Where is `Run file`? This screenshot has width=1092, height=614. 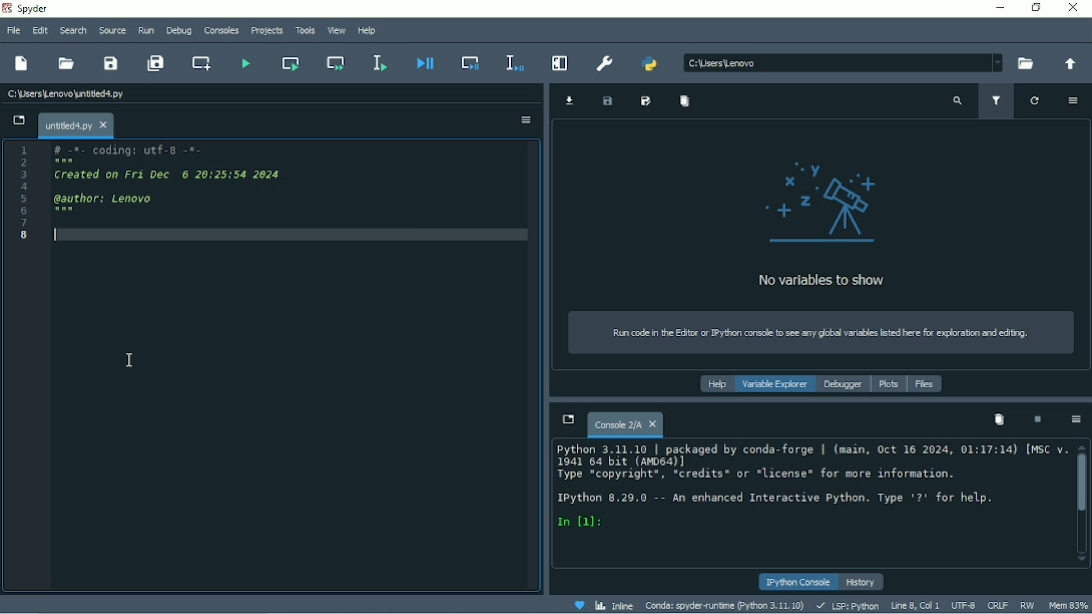
Run file is located at coordinates (243, 62).